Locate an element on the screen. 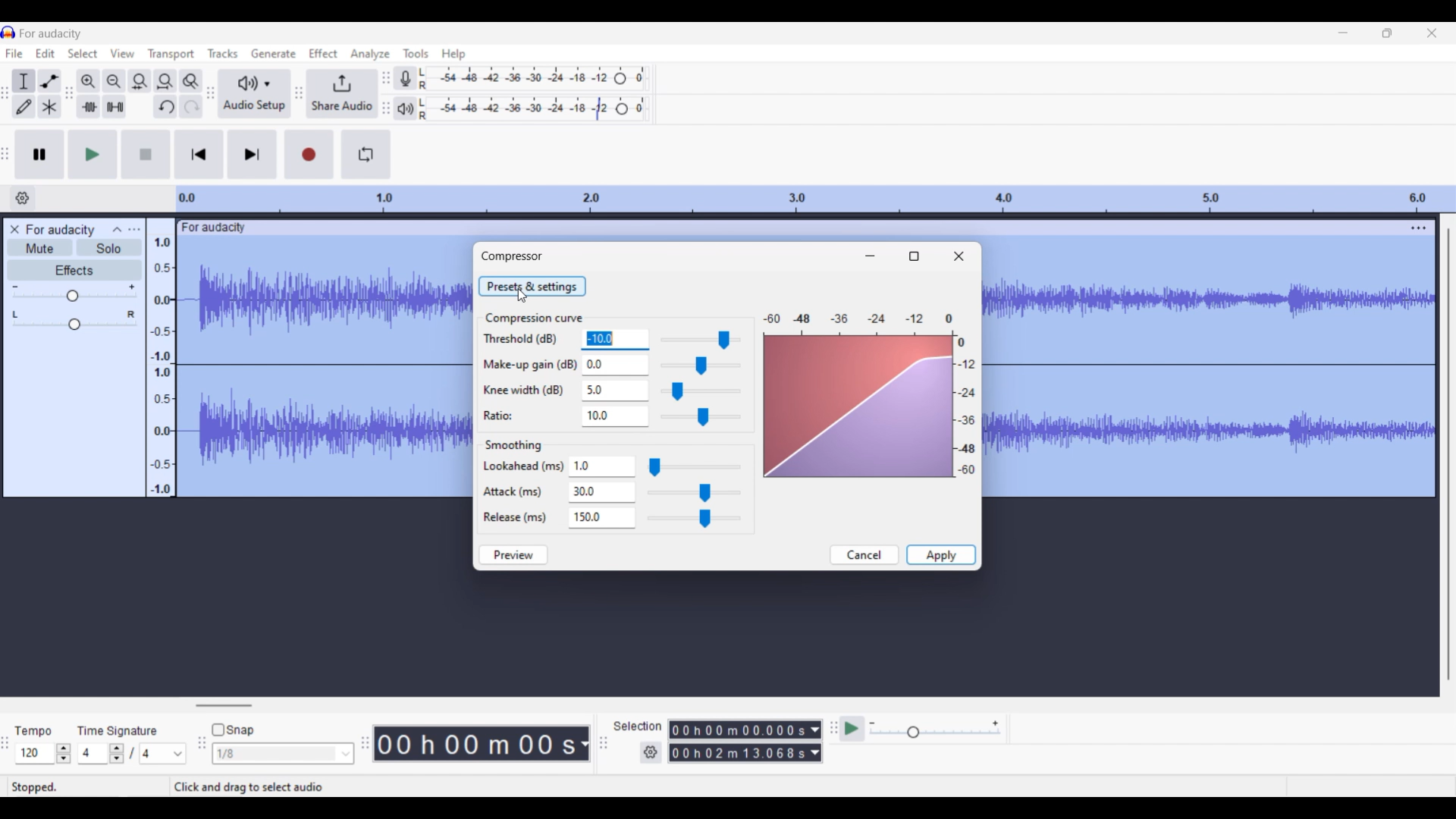  Make up gain slider is located at coordinates (700, 366).